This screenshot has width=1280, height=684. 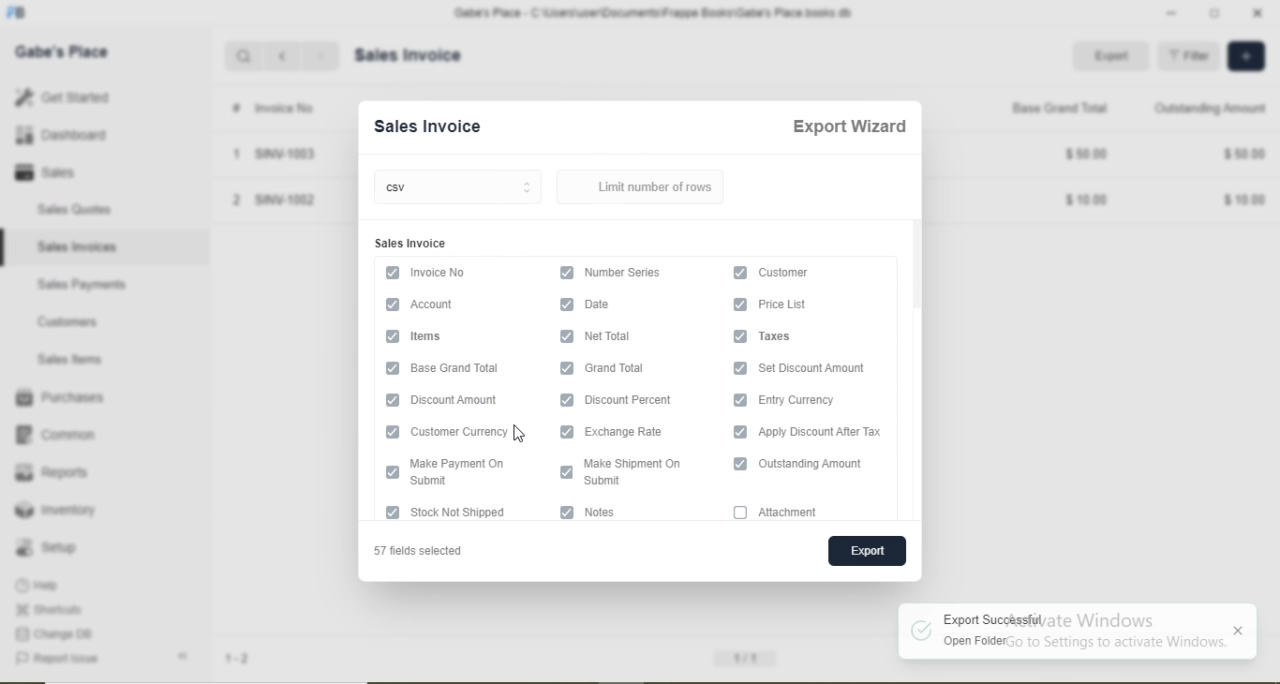 What do you see at coordinates (58, 172) in the screenshot?
I see `Sales` at bounding box center [58, 172].